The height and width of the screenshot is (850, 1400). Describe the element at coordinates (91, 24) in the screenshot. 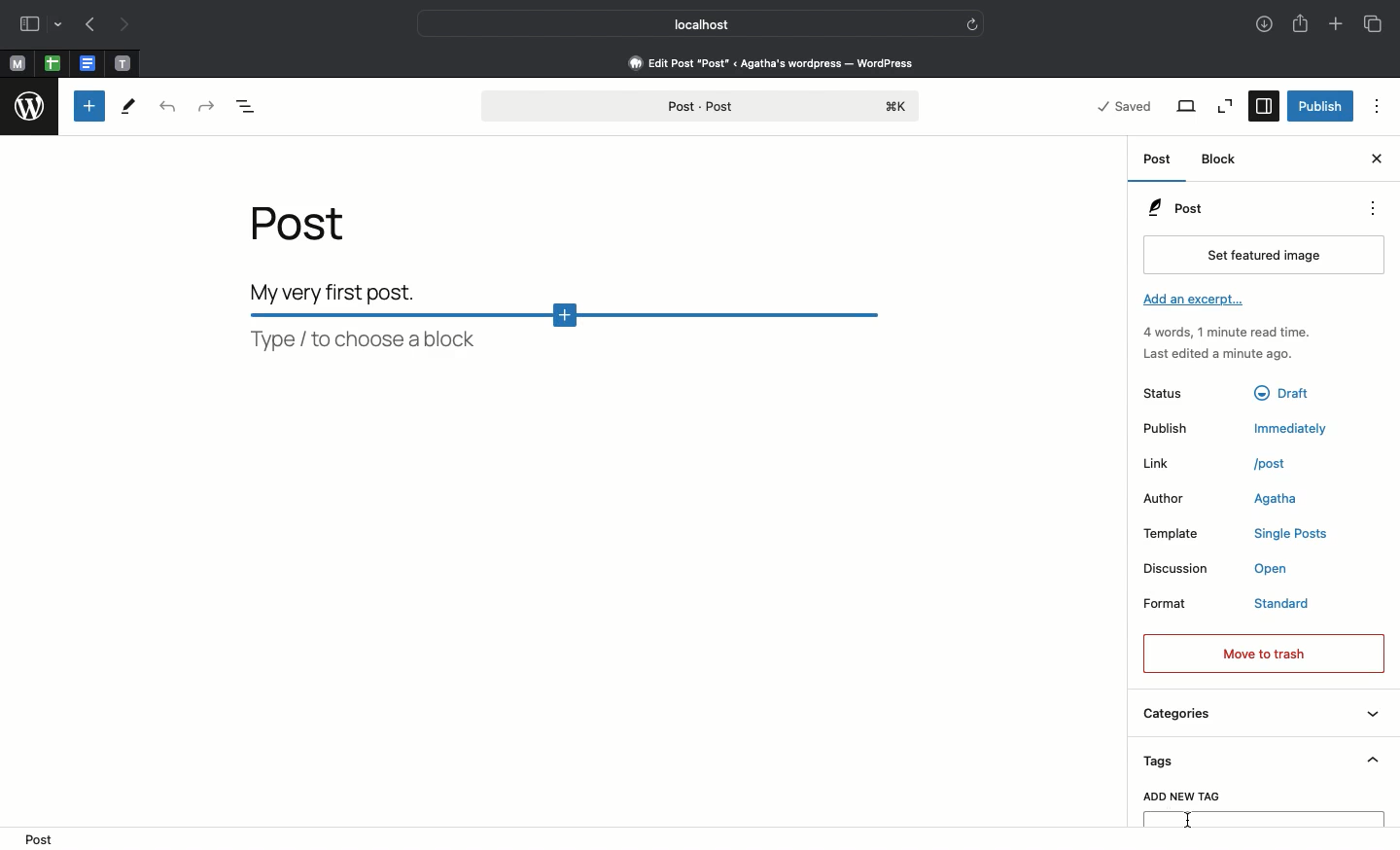

I see `Previous page` at that location.